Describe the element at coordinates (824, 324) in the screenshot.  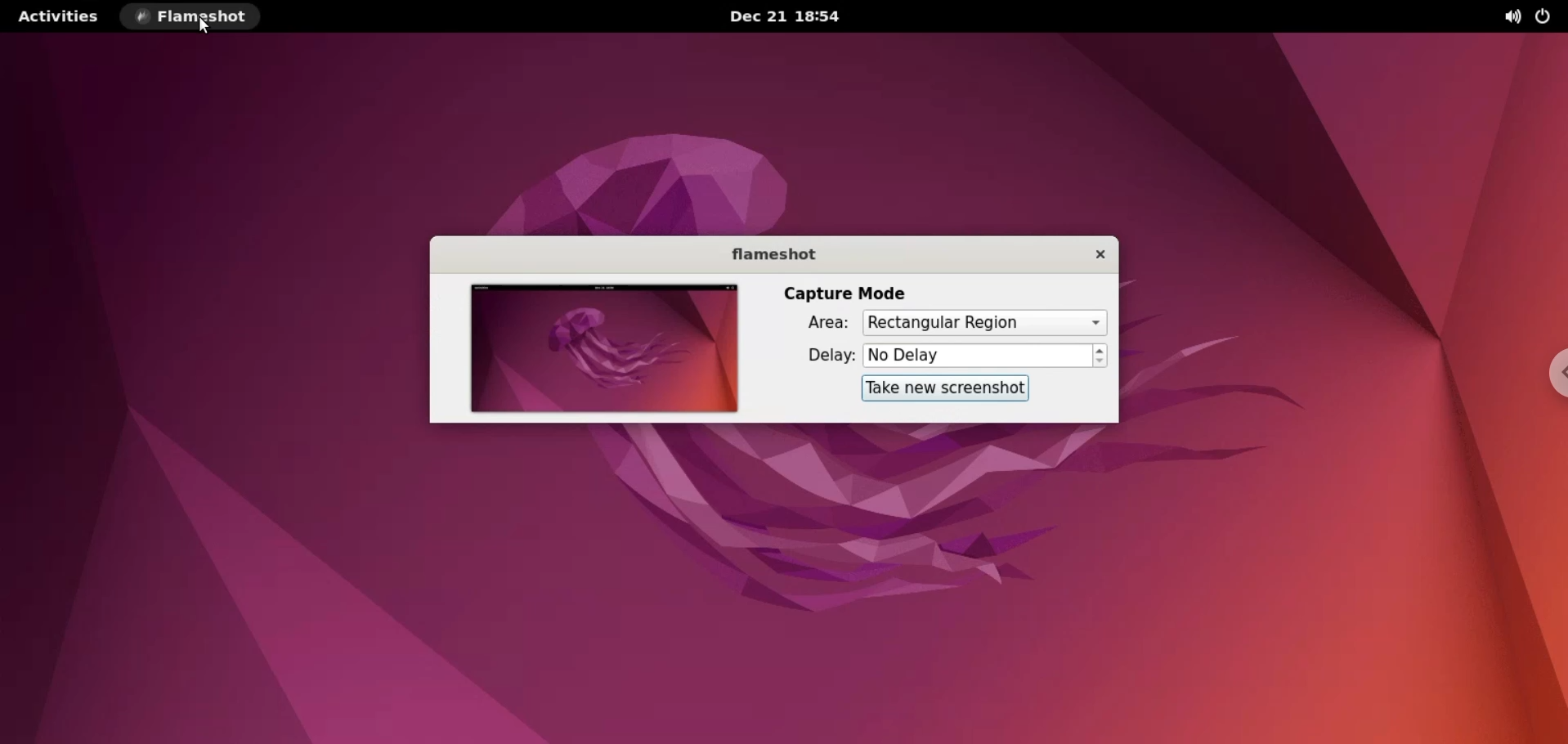
I see `area ` at that location.